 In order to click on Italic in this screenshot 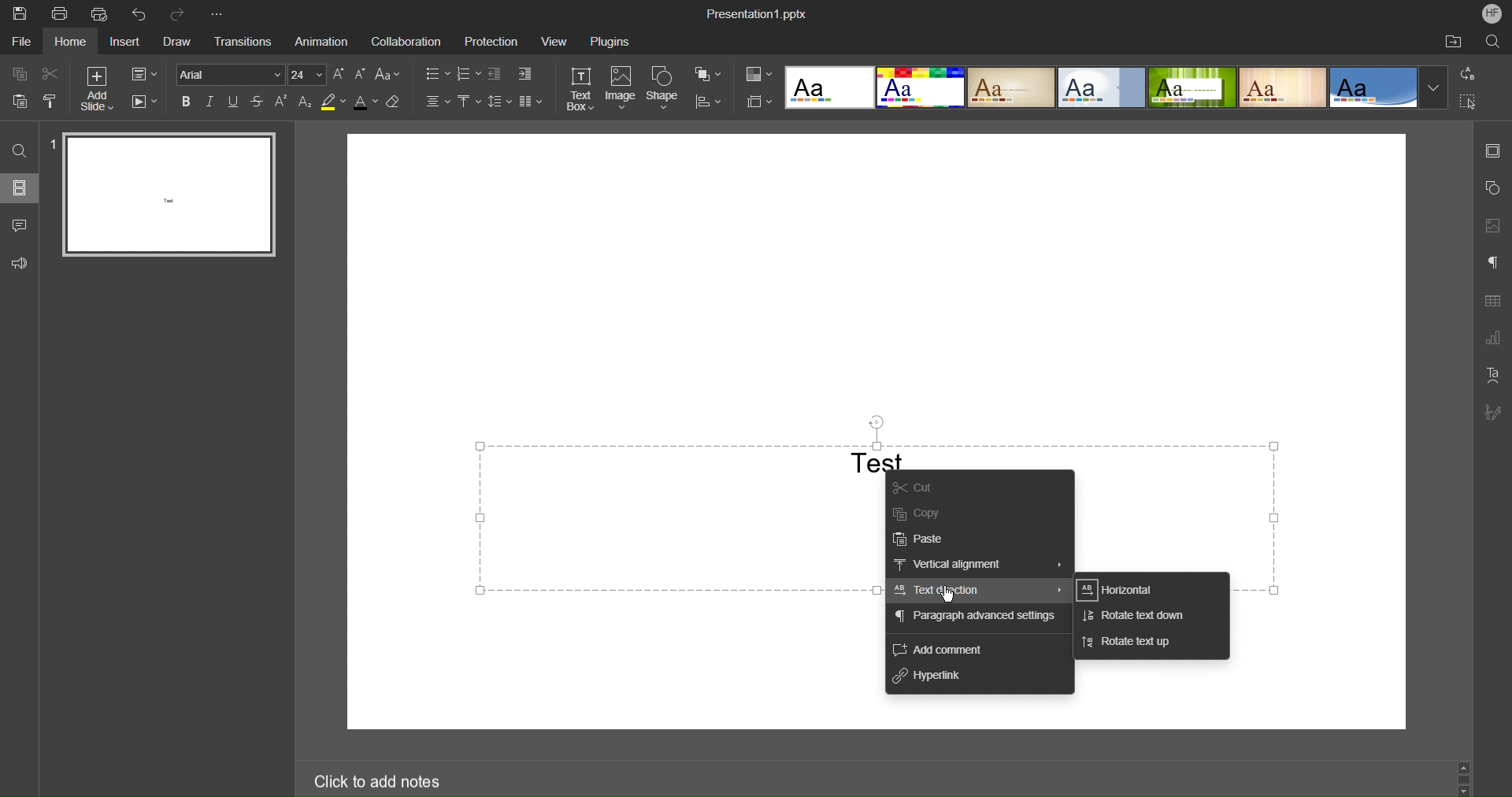, I will do `click(211, 101)`.